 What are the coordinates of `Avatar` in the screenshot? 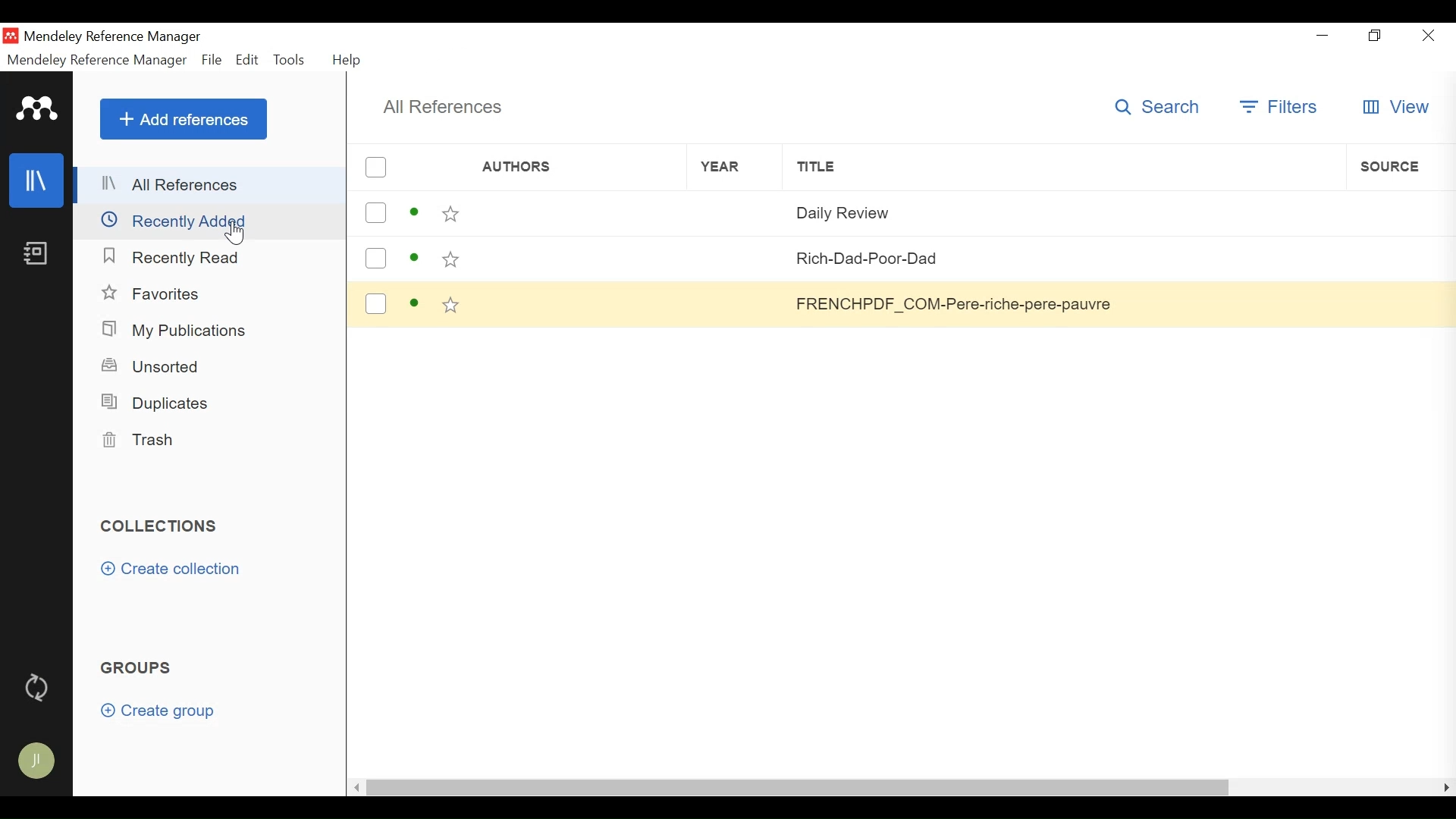 It's located at (39, 761).